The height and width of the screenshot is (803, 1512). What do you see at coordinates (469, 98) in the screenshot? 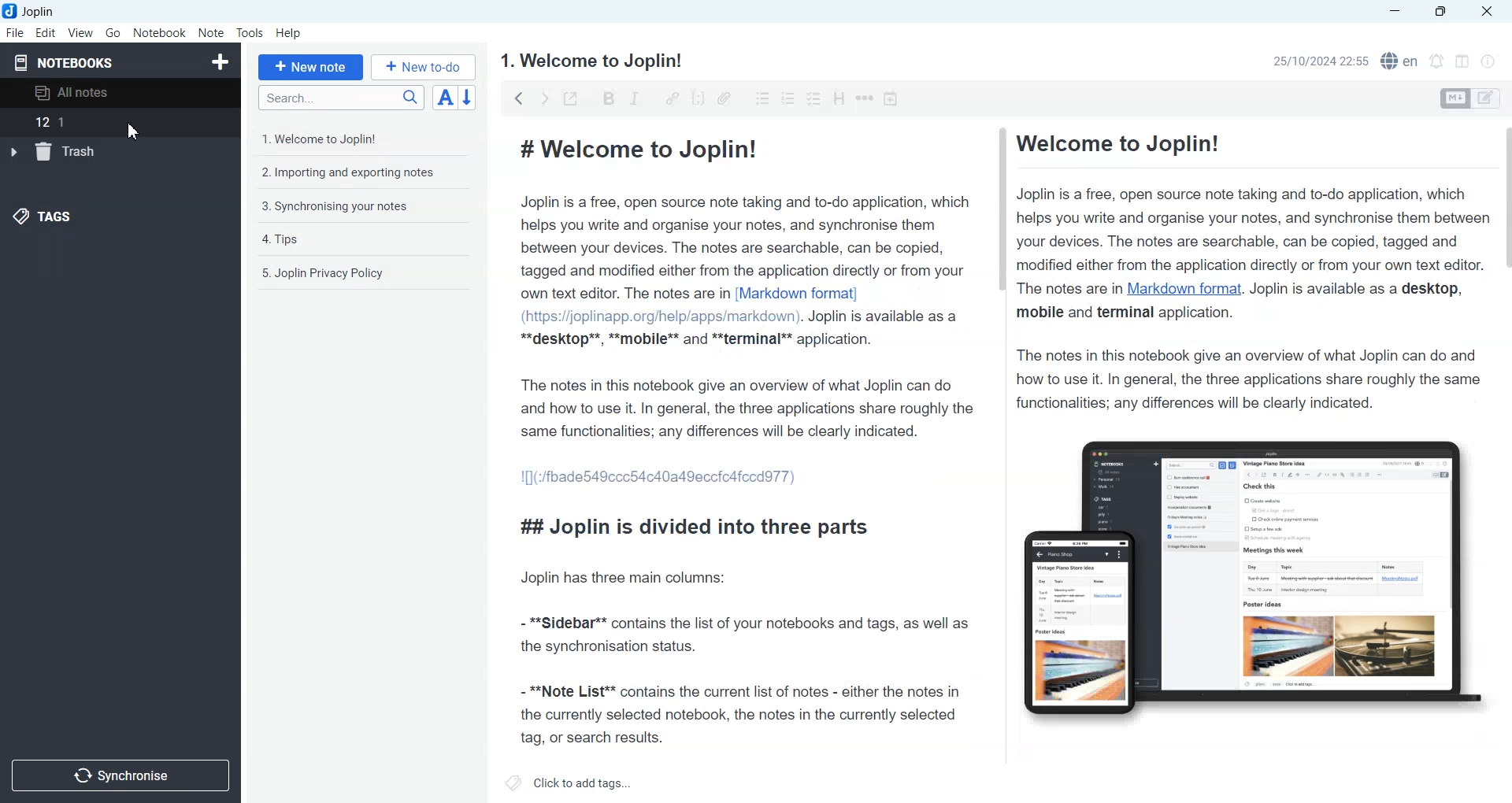
I see `Reverse sort order` at bounding box center [469, 98].